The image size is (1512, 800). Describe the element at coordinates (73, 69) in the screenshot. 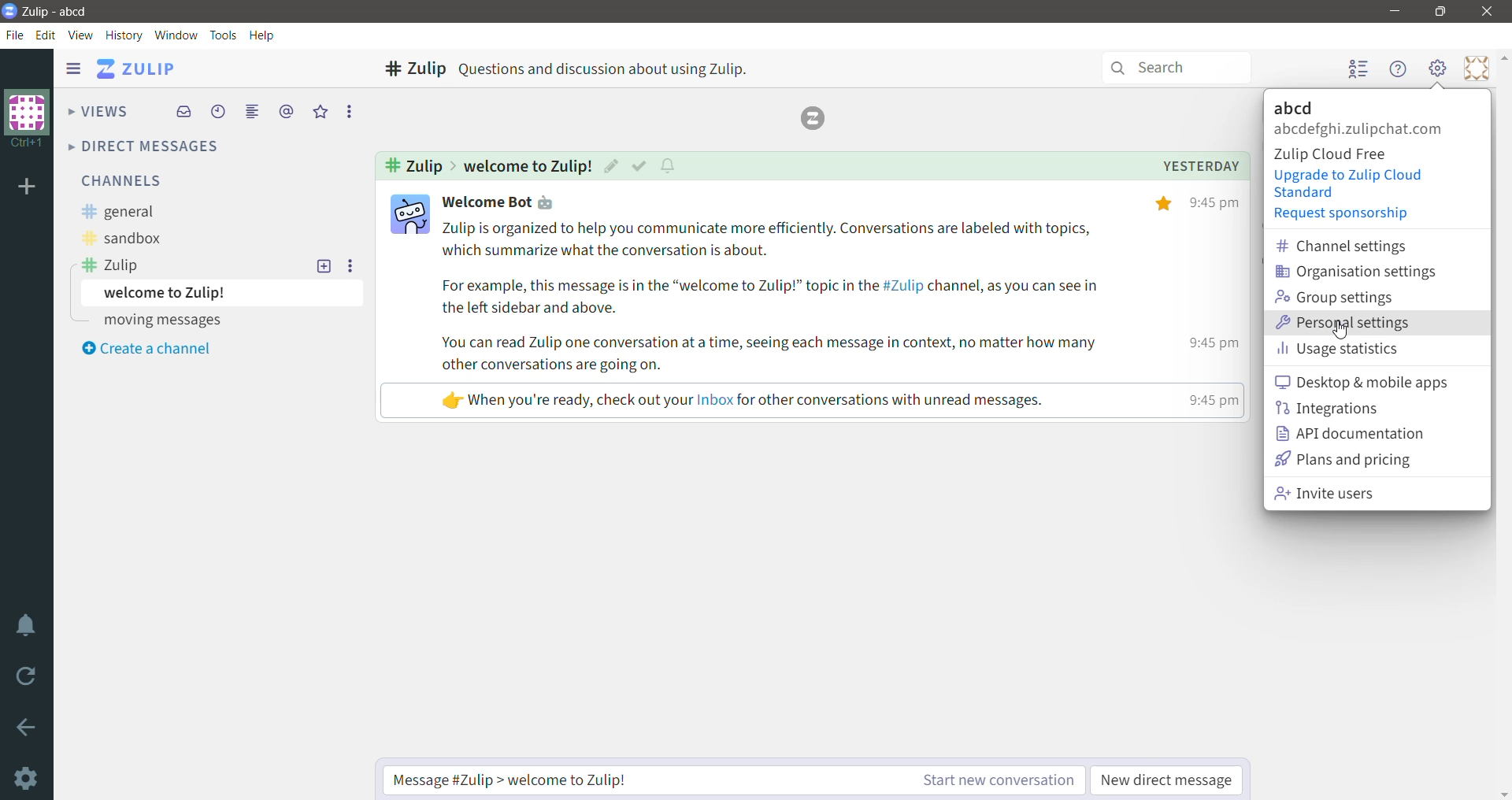

I see `Show/Hide left sidebar` at that location.